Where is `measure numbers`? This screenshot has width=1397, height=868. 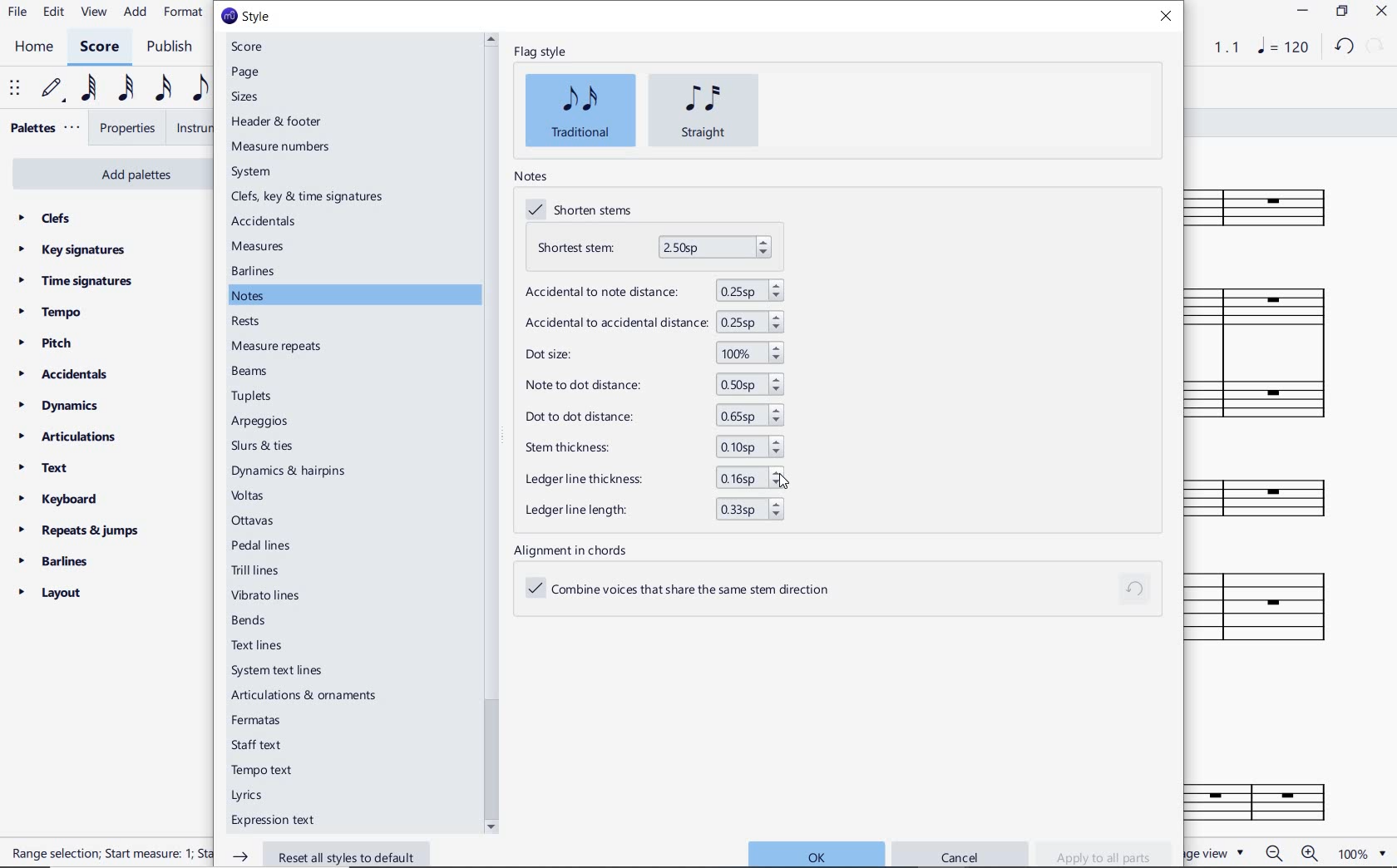 measure numbers is located at coordinates (284, 147).